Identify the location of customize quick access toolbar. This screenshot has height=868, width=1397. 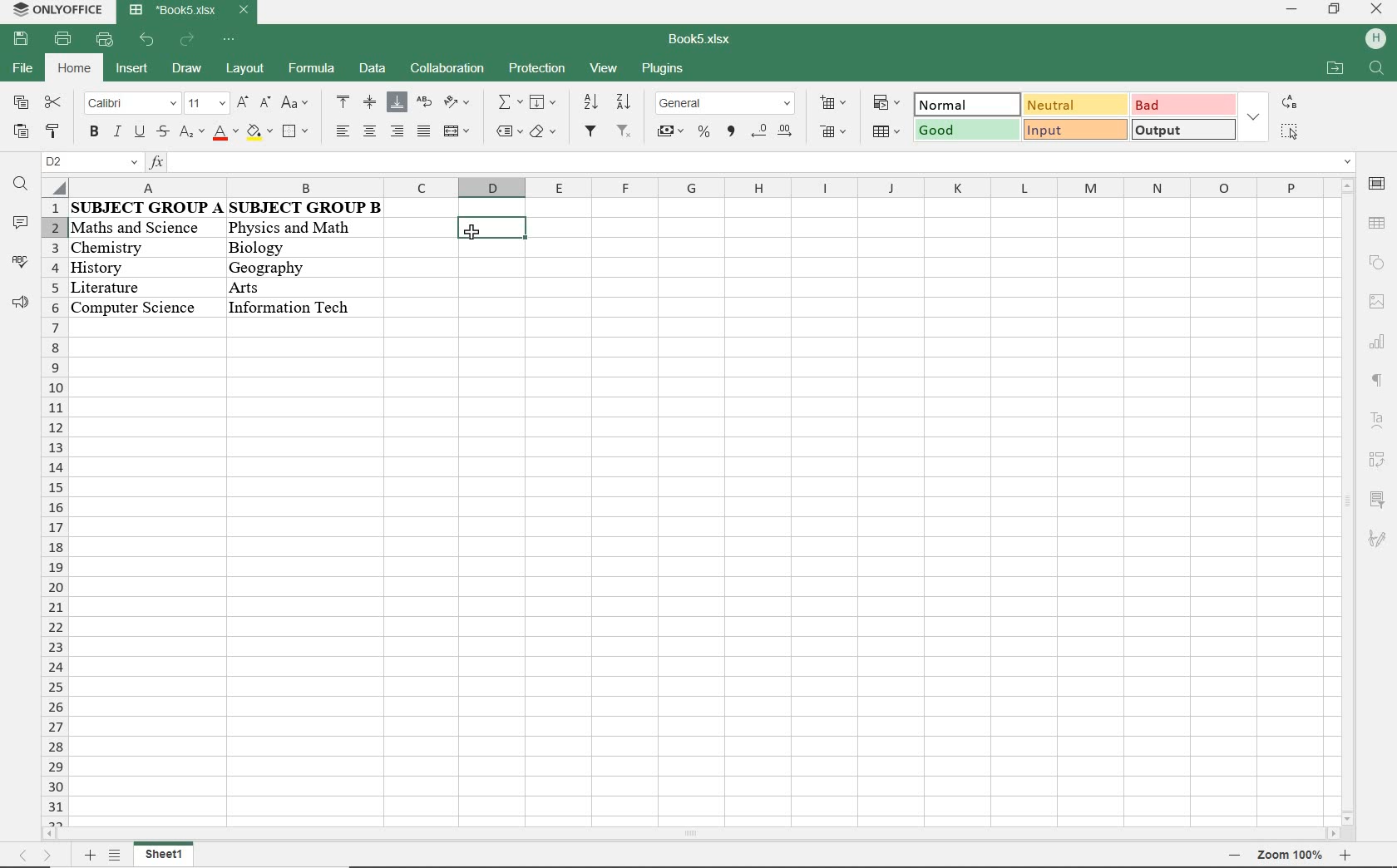
(230, 40).